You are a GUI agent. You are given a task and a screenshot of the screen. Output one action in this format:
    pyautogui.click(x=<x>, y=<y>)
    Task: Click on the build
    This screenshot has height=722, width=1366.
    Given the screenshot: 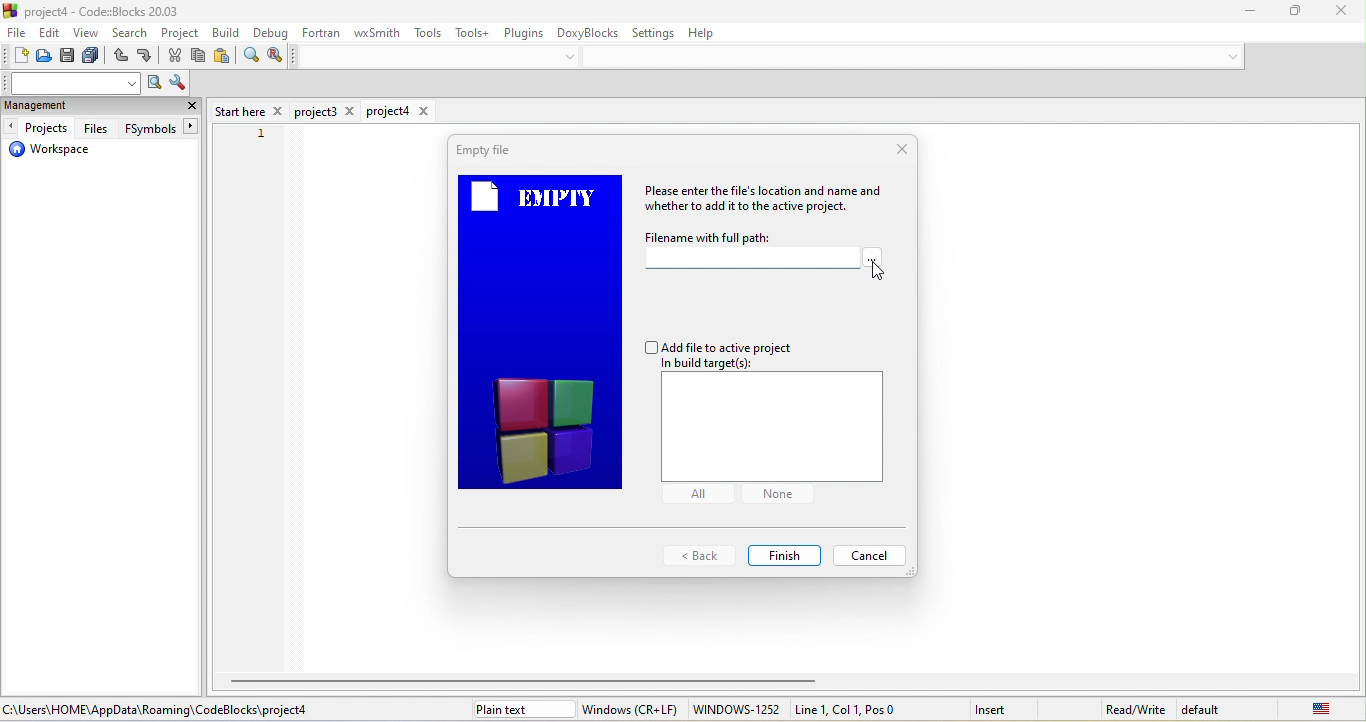 What is the action you would take?
    pyautogui.click(x=228, y=32)
    